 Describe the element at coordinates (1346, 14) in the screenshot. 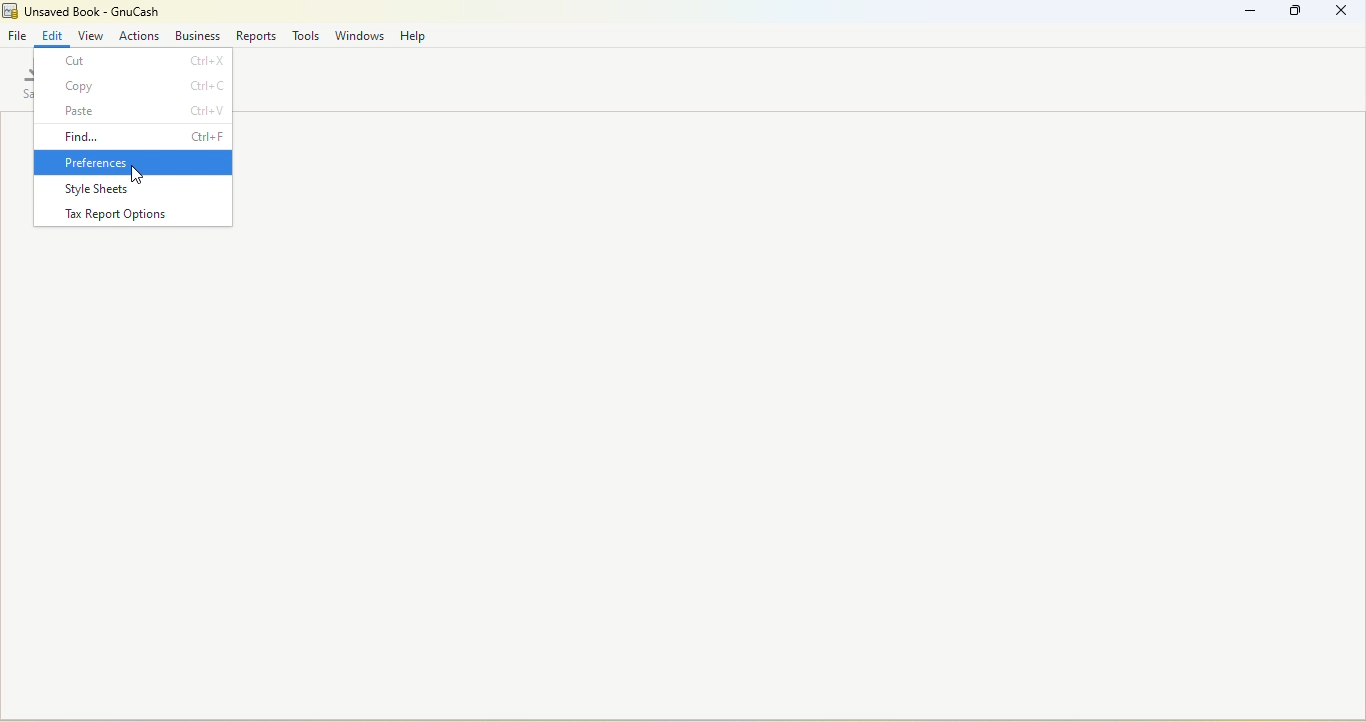

I see `Close` at that location.